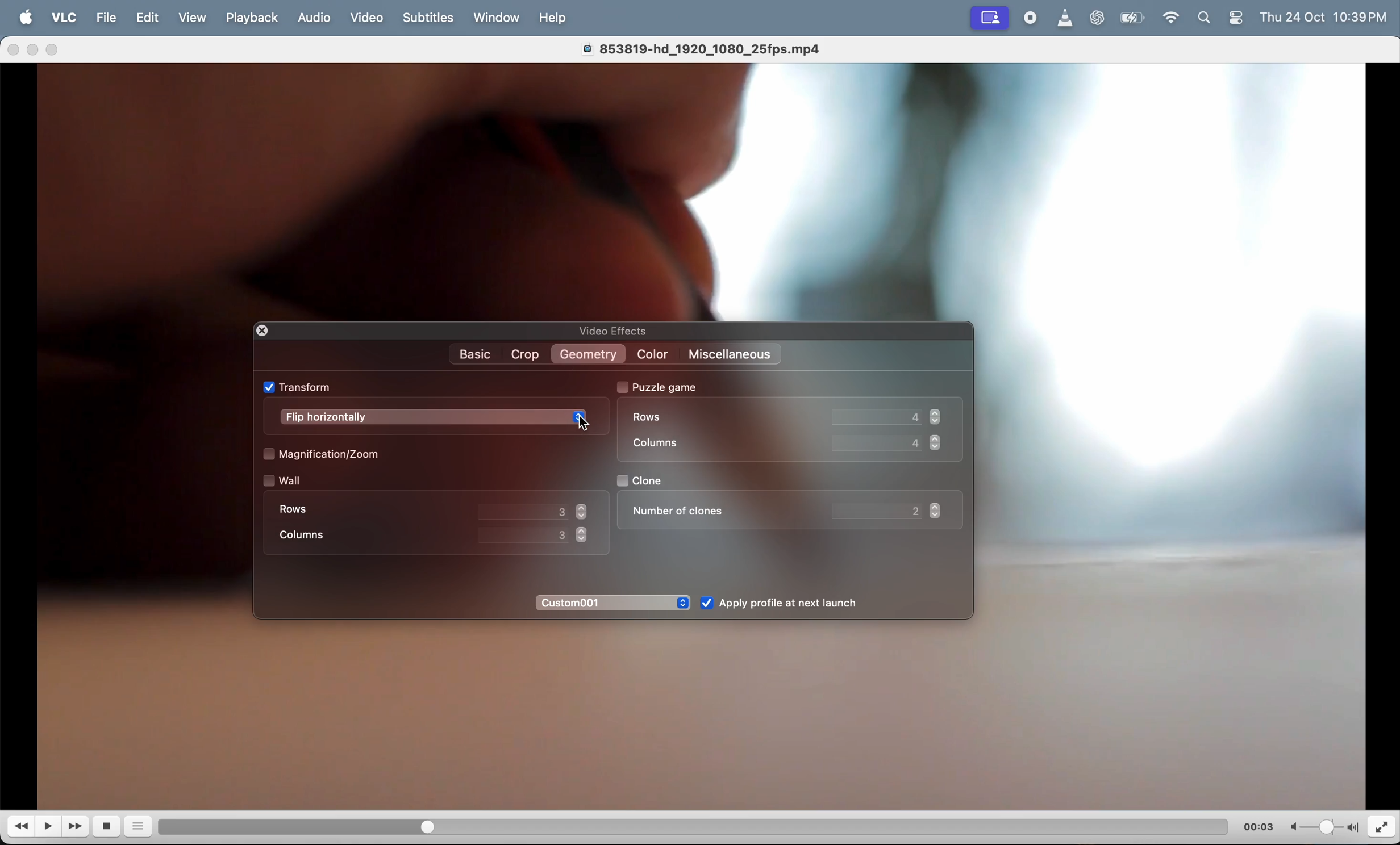 The image size is (1400, 845). Describe the element at coordinates (434, 417) in the screenshot. I see `flip horrizontally` at that location.